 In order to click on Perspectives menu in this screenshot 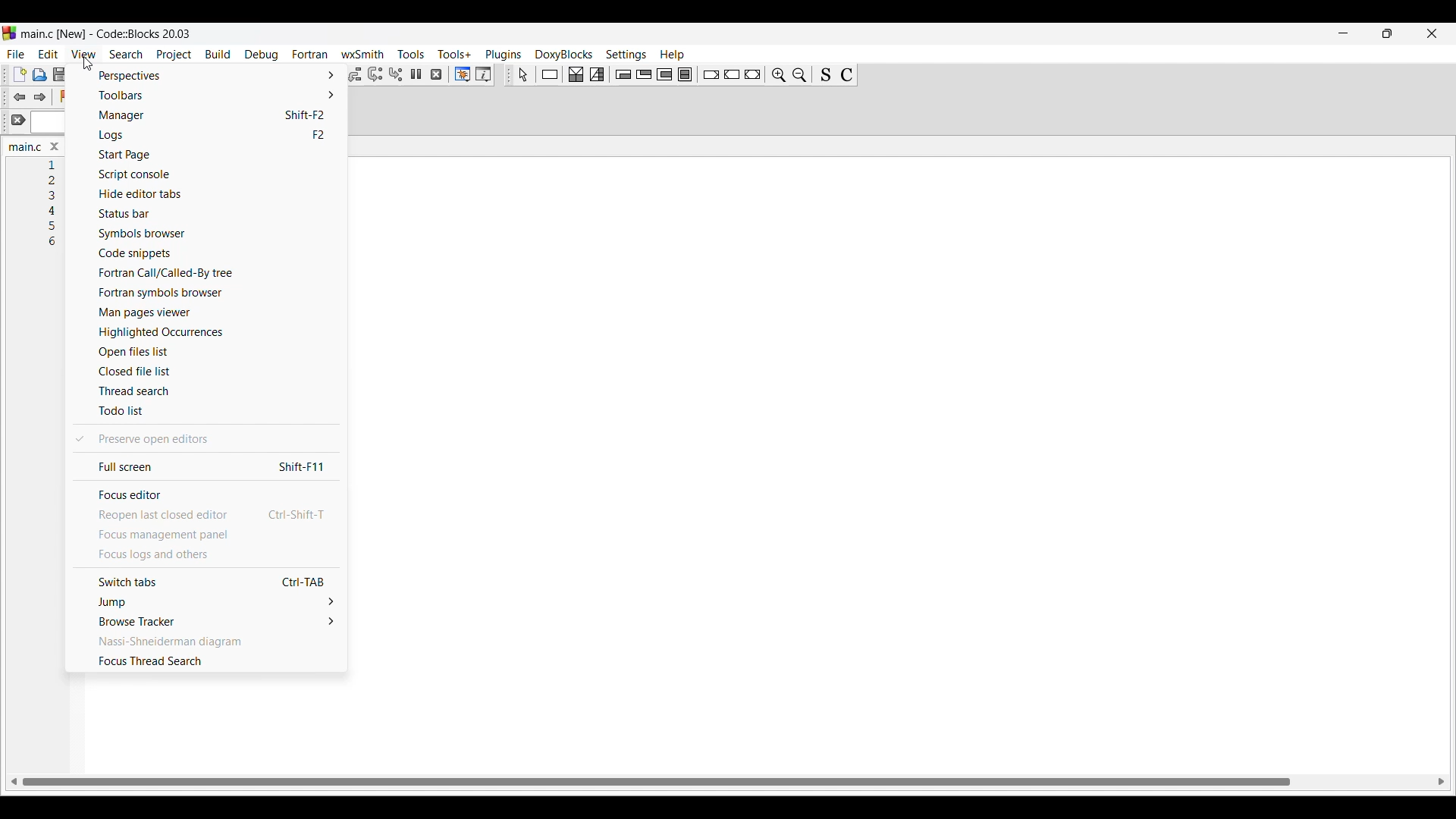, I will do `click(209, 76)`.